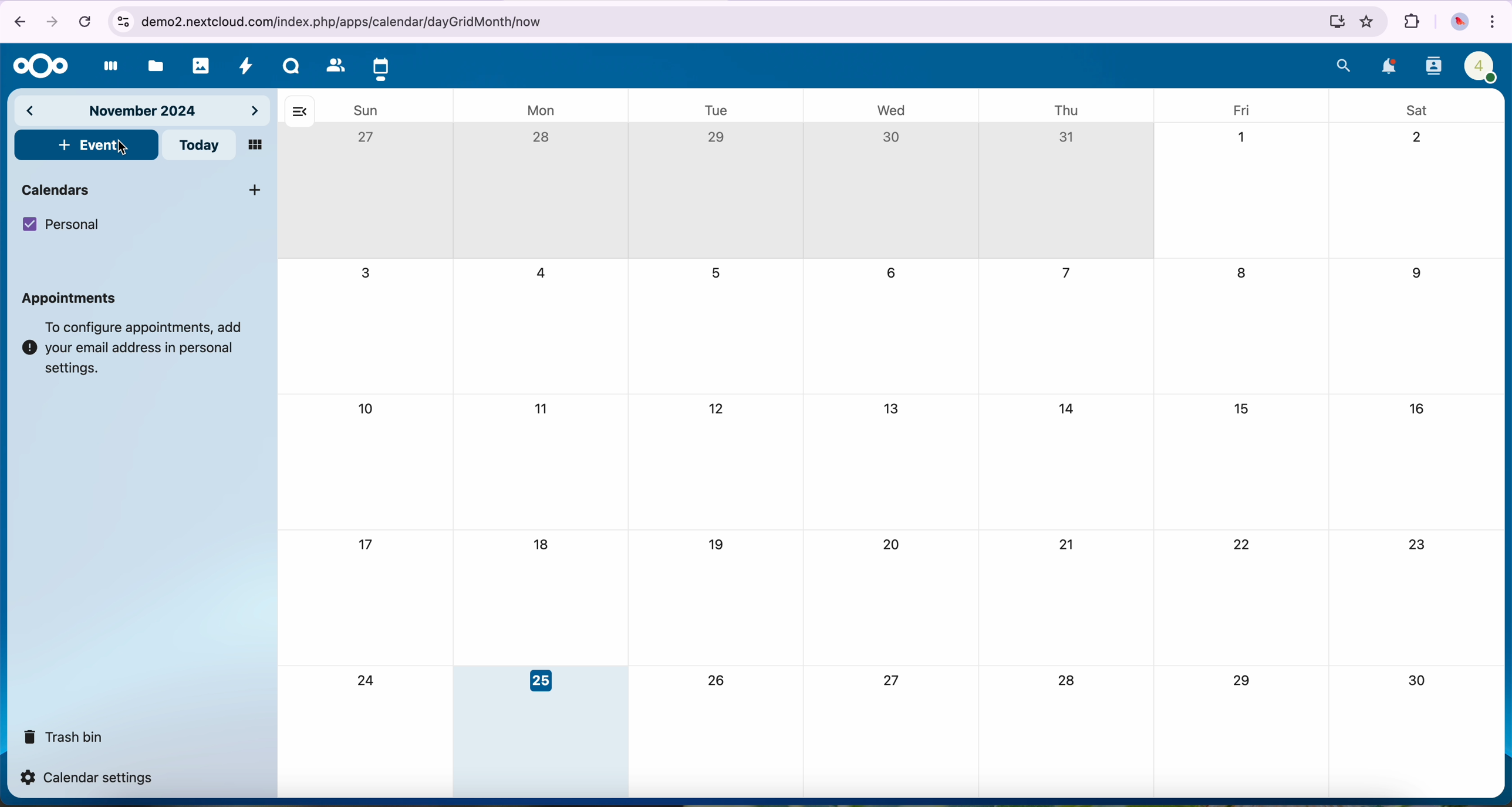  What do you see at coordinates (544, 410) in the screenshot?
I see `11` at bounding box center [544, 410].